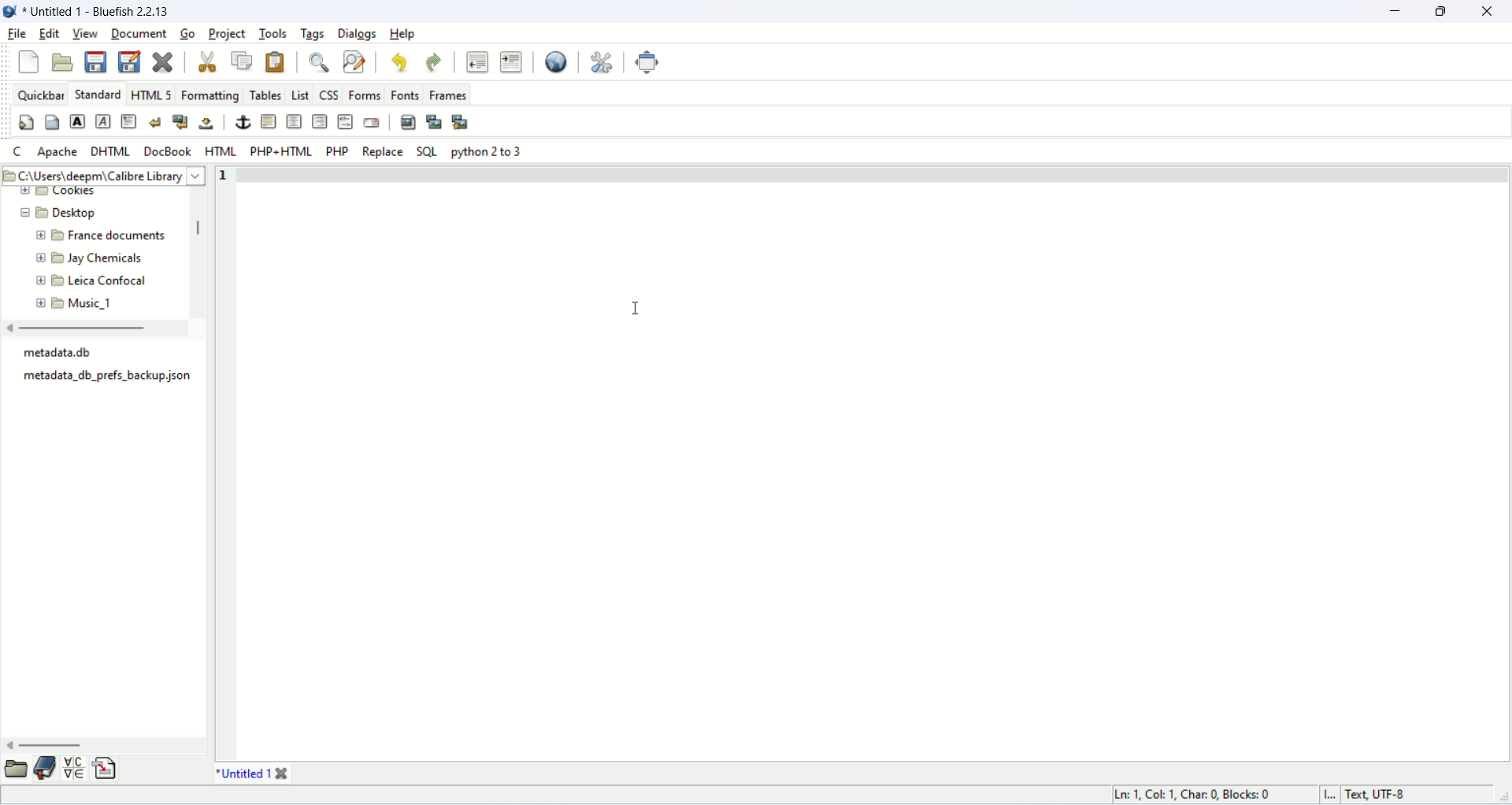  What do you see at coordinates (198, 250) in the screenshot?
I see `scroll bar` at bounding box center [198, 250].